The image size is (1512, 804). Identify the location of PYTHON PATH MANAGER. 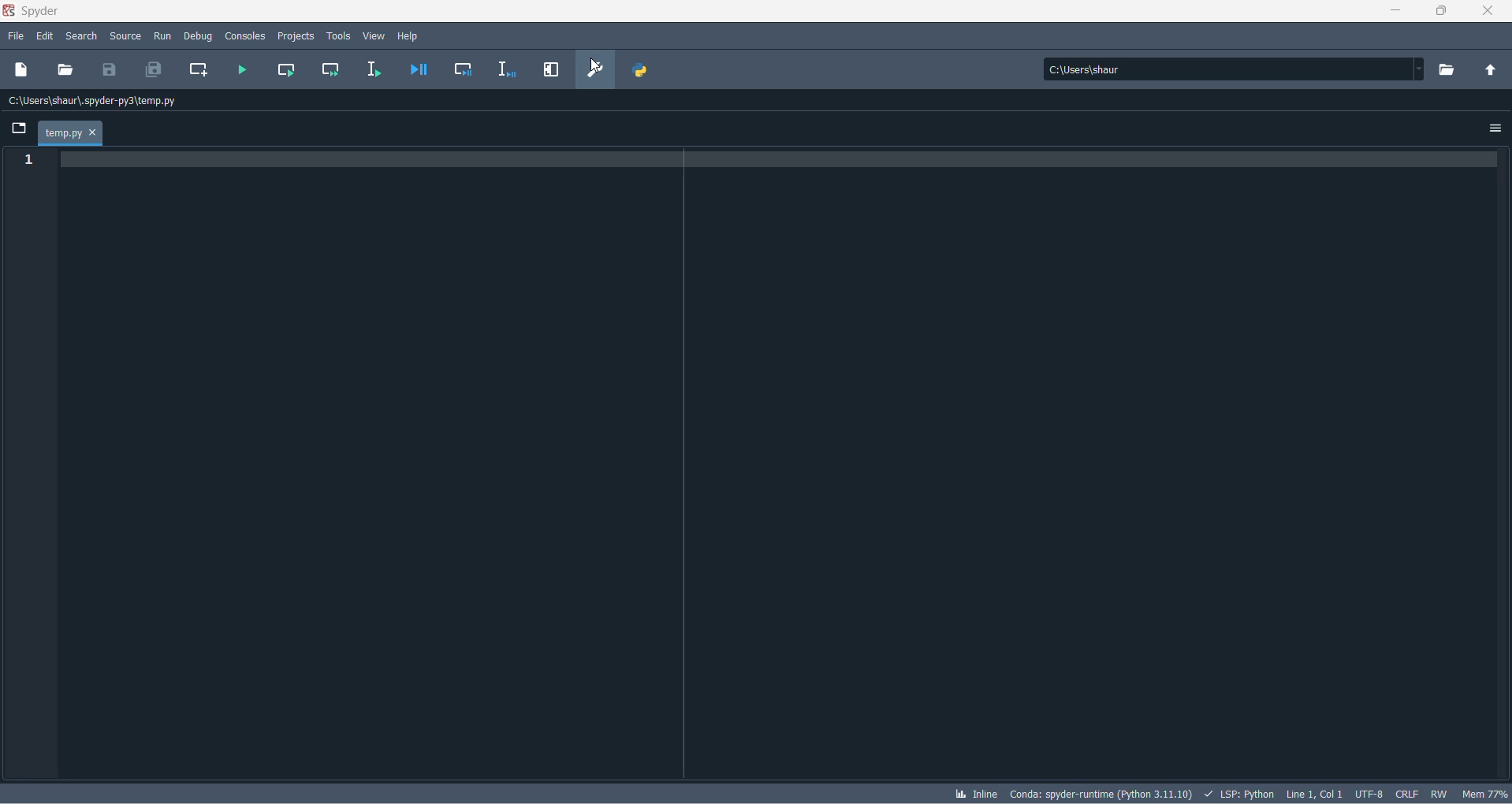
(639, 68).